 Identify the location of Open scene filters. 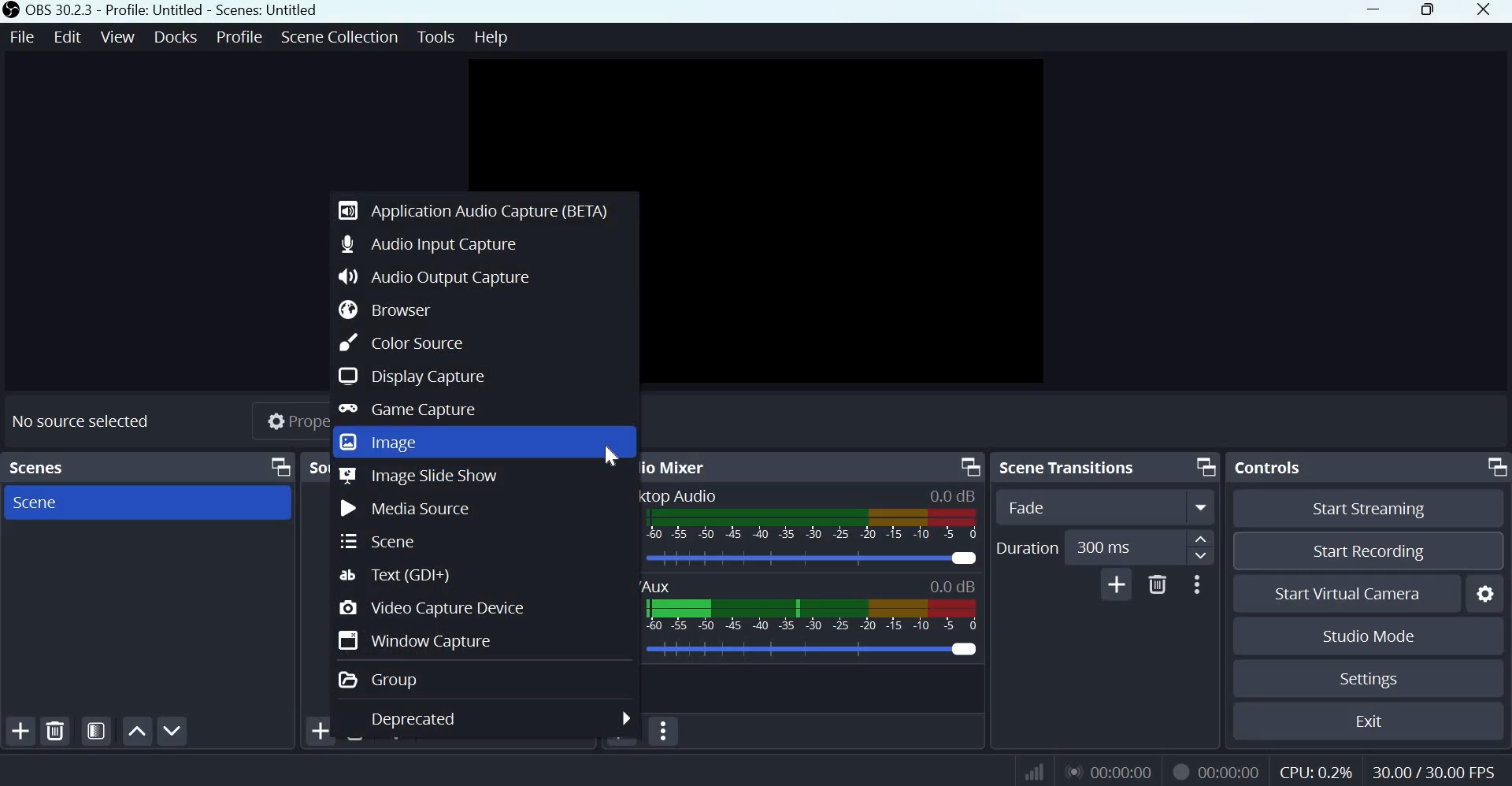
(96, 731).